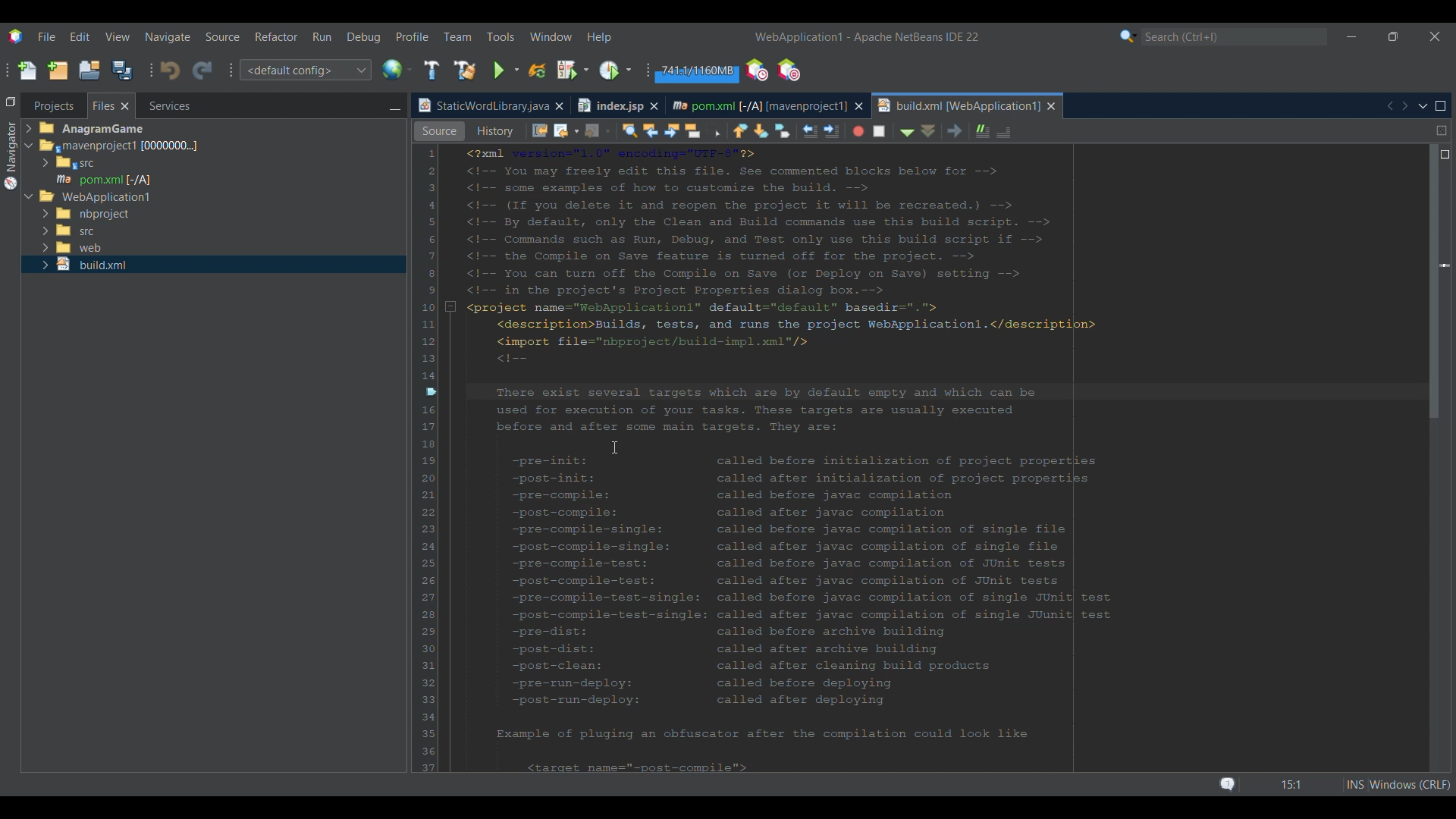  What do you see at coordinates (617, 455) in the screenshot?
I see `Cursor clicking on toggle bookmark` at bounding box center [617, 455].